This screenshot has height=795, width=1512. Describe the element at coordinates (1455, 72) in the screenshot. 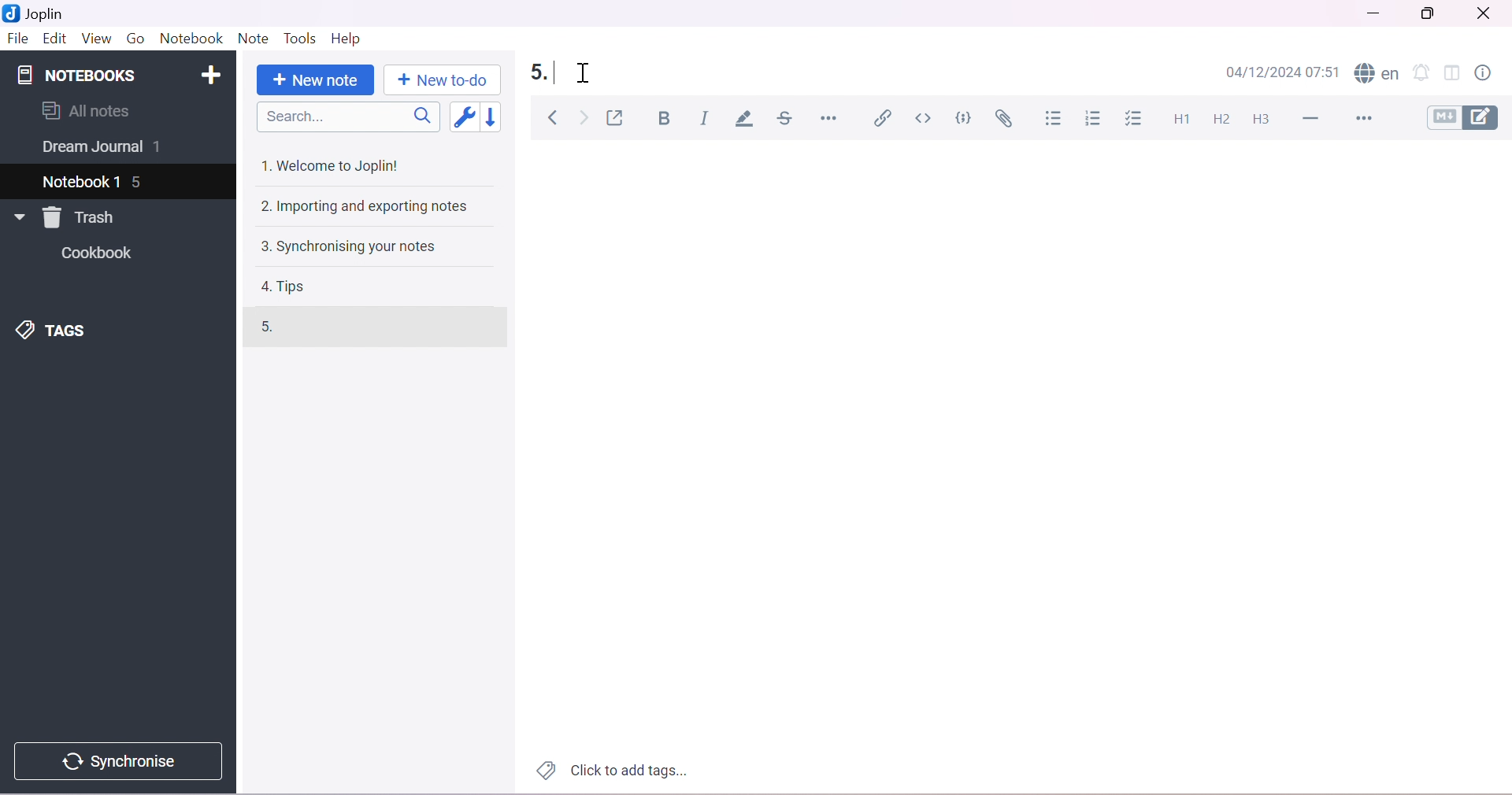

I see `Toggle editor layout` at that location.